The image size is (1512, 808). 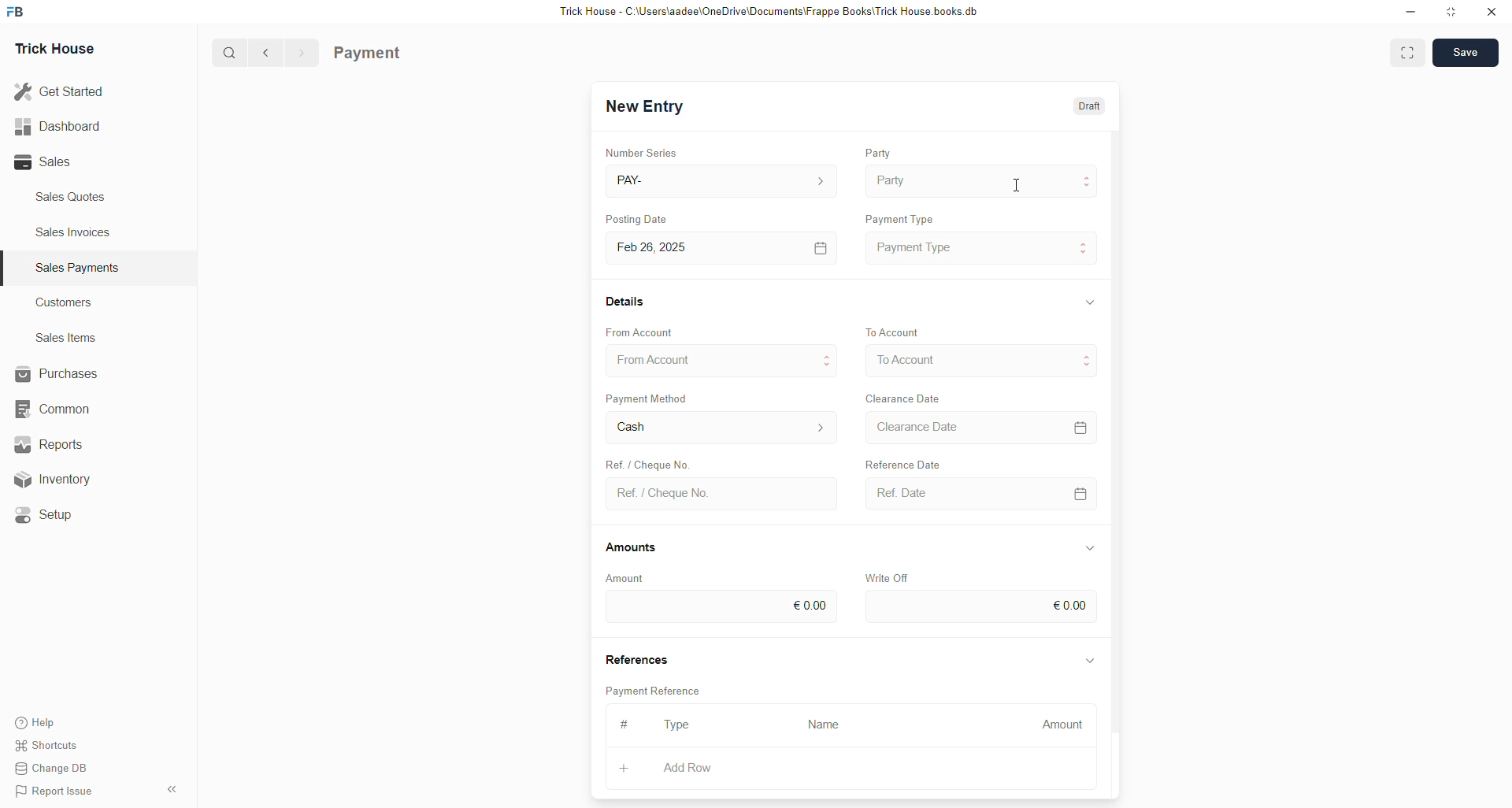 I want to click on Amount, so click(x=1056, y=726).